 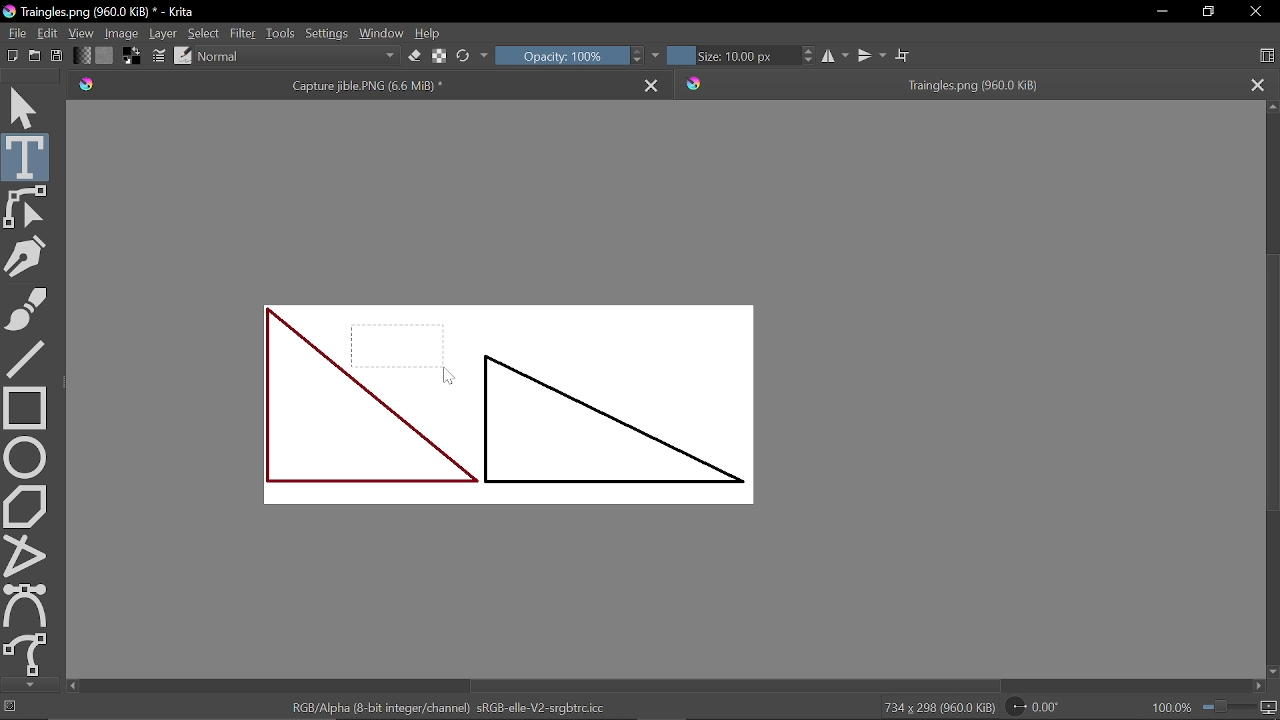 I want to click on Bezier curve tool, so click(x=27, y=605).